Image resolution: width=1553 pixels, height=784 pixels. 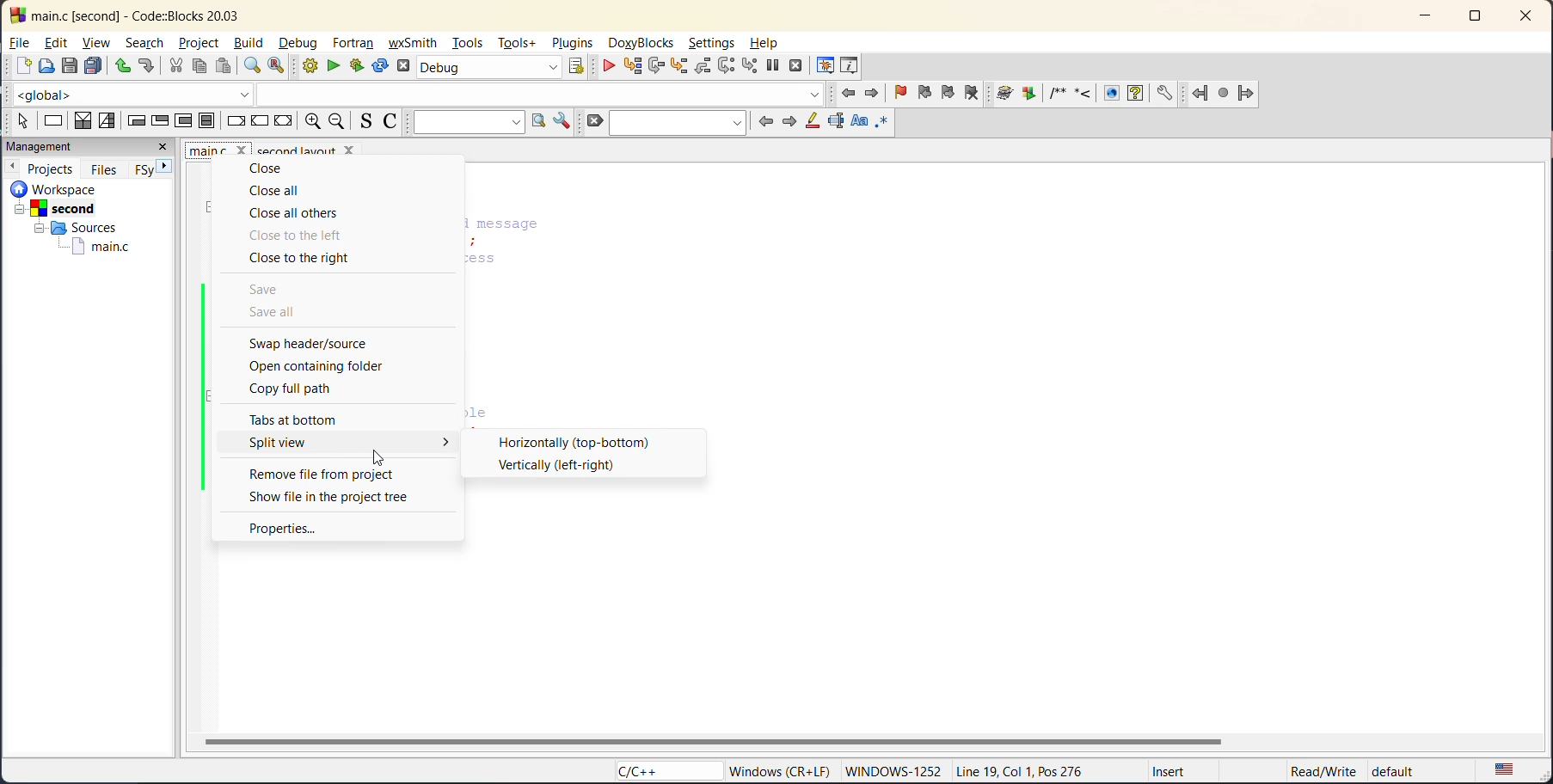 I want to click on text to search, so click(x=465, y=122).